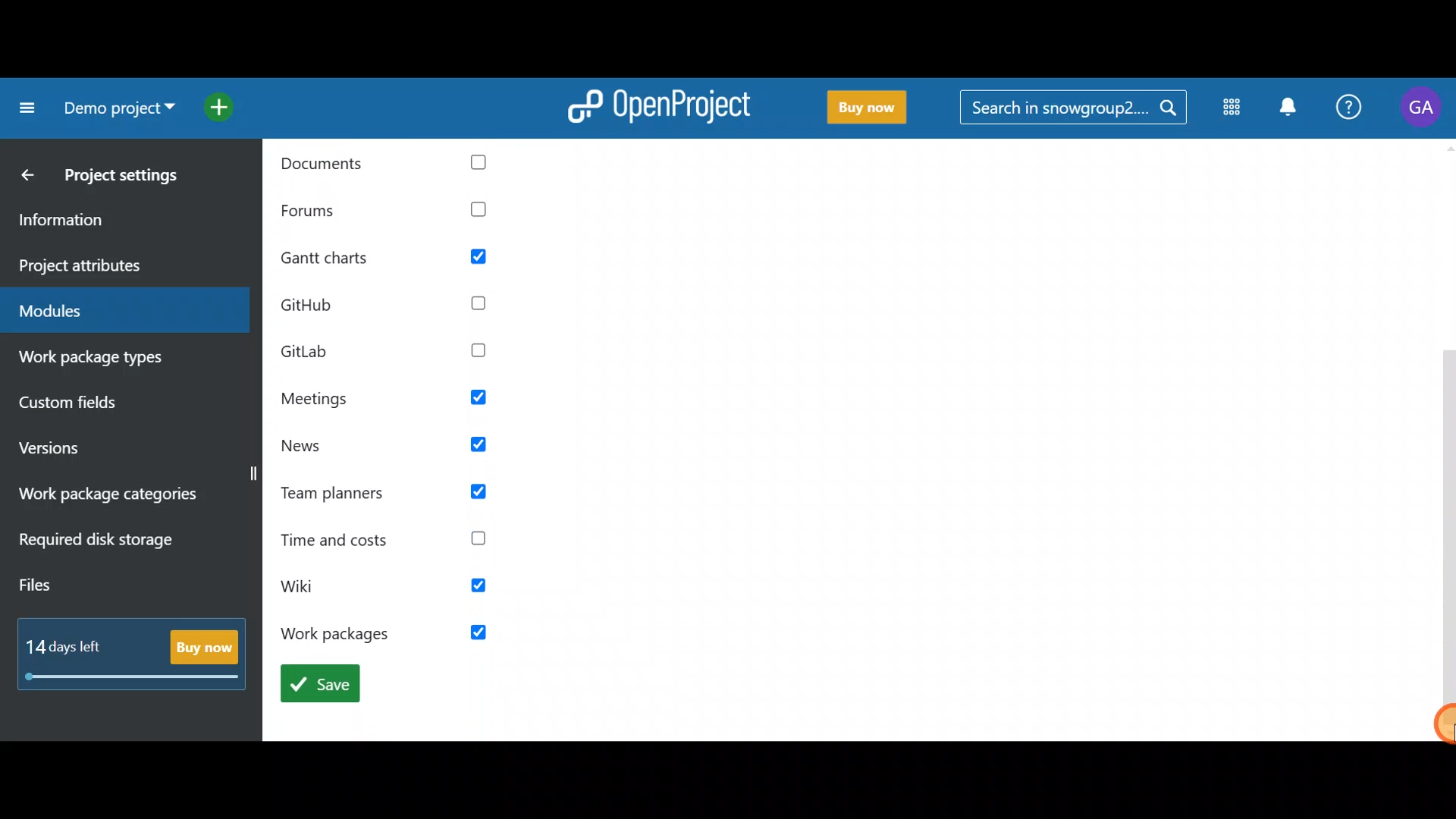 The width and height of the screenshot is (1456, 819). What do you see at coordinates (870, 110) in the screenshot?
I see `Buy now` at bounding box center [870, 110].